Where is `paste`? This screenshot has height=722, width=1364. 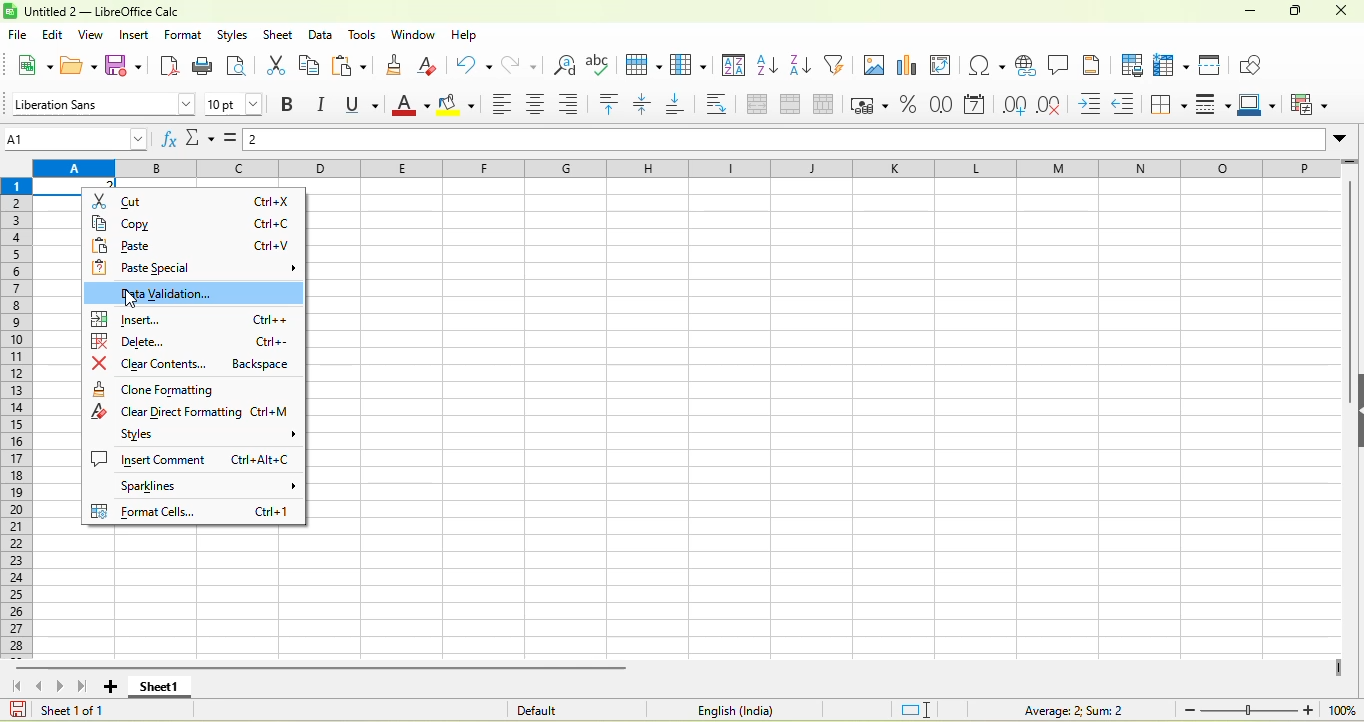
paste is located at coordinates (353, 67).